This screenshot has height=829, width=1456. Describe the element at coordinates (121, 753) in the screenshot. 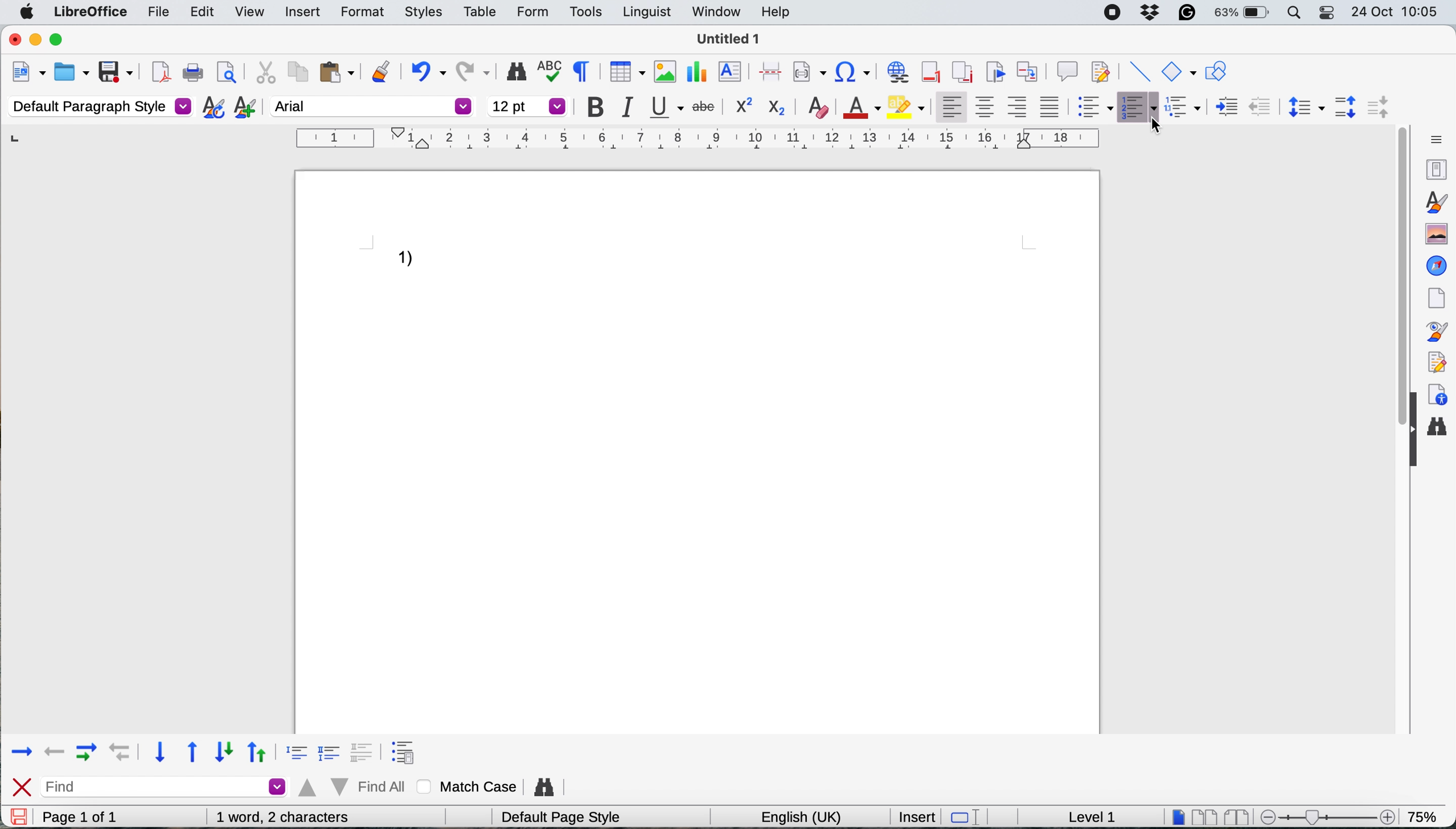

I see `backward with indent` at that location.